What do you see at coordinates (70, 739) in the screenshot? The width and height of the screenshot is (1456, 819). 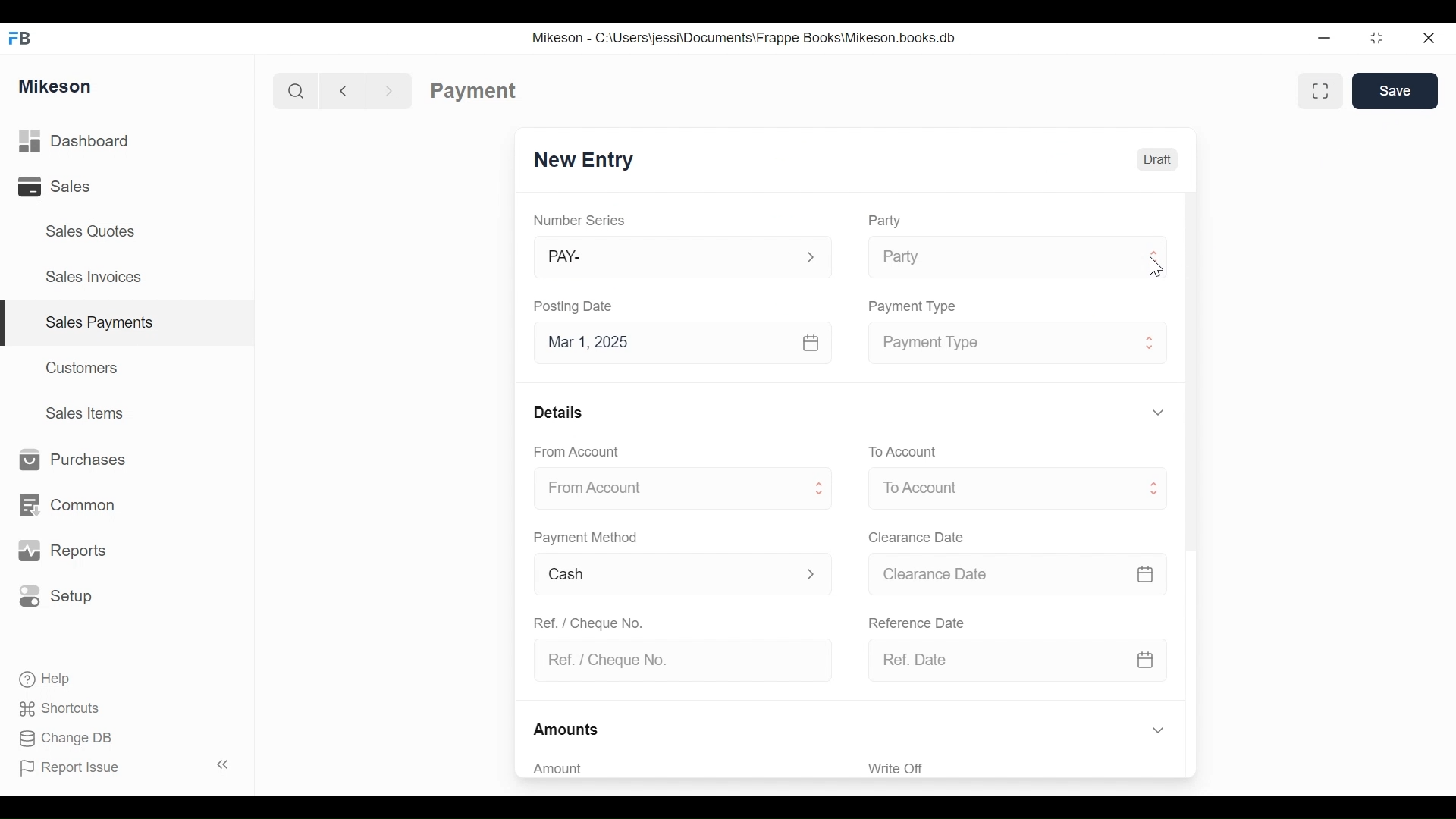 I see `Change DB` at bounding box center [70, 739].